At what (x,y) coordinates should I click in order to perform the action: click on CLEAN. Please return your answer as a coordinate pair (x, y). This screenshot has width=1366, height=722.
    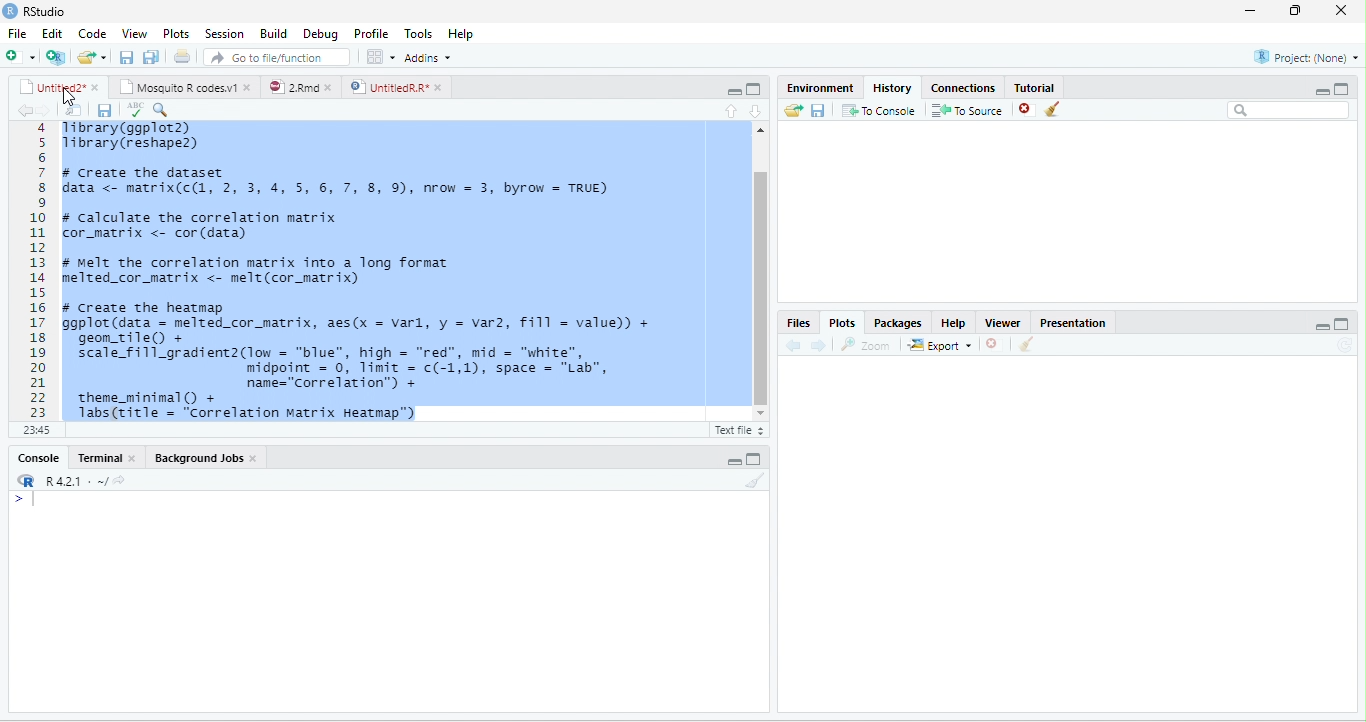
    Looking at the image, I should click on (1028, 346).